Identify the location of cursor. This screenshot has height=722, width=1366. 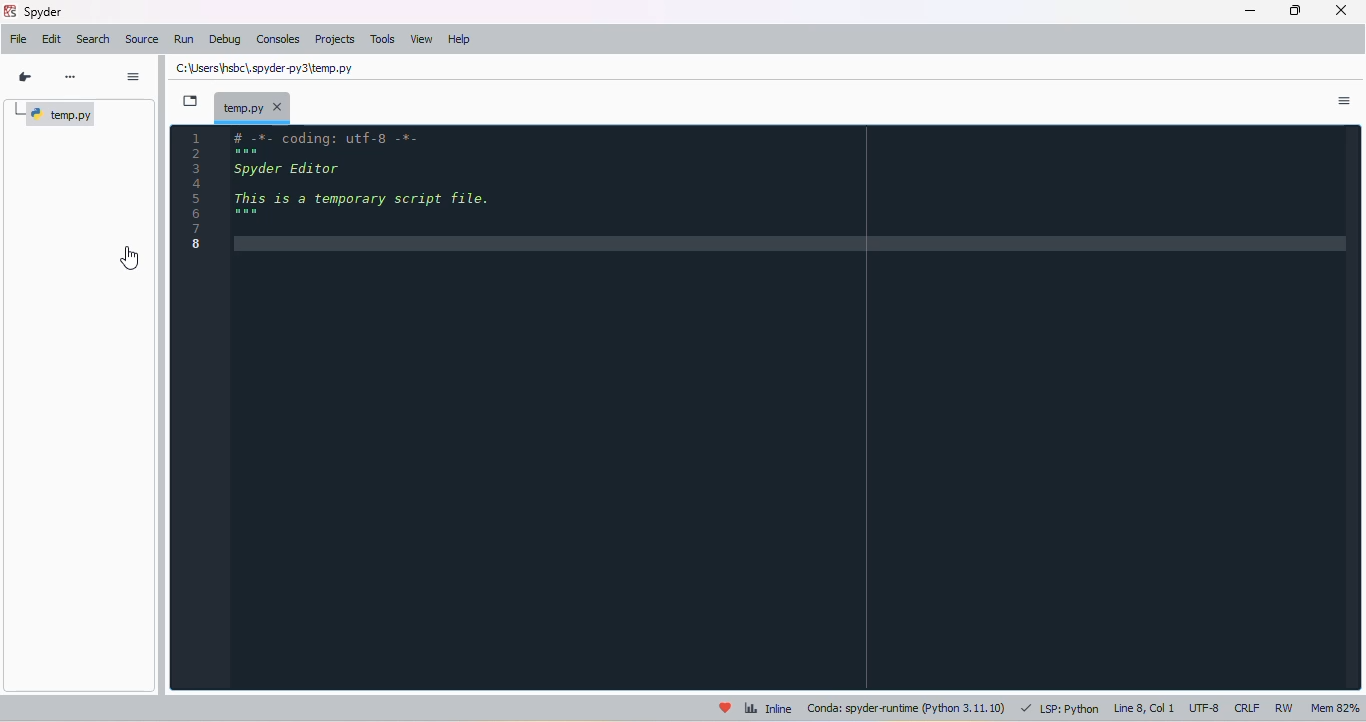
(131, 258).